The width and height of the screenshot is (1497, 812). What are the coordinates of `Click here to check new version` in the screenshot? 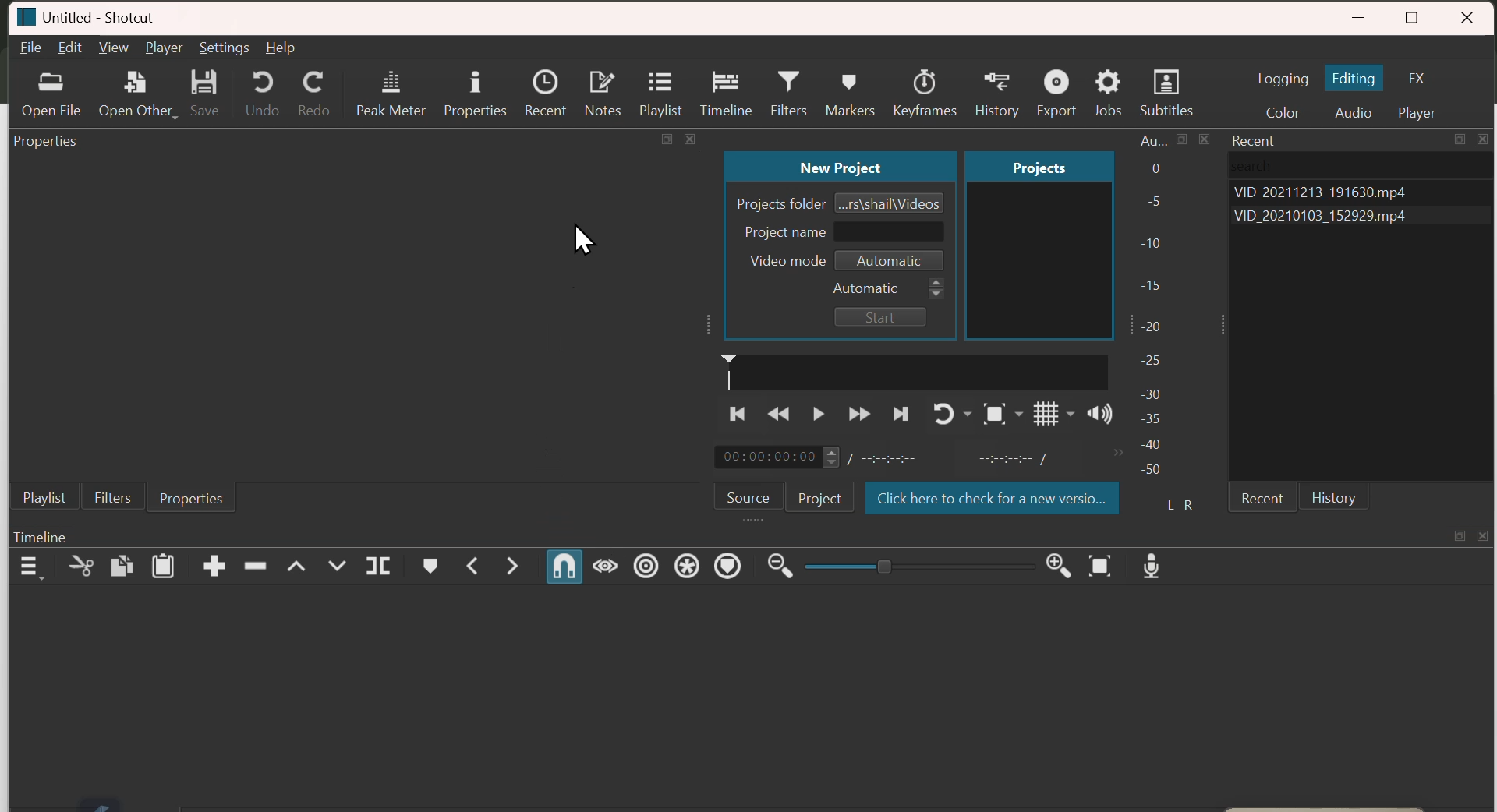 It's located at (993, 497).